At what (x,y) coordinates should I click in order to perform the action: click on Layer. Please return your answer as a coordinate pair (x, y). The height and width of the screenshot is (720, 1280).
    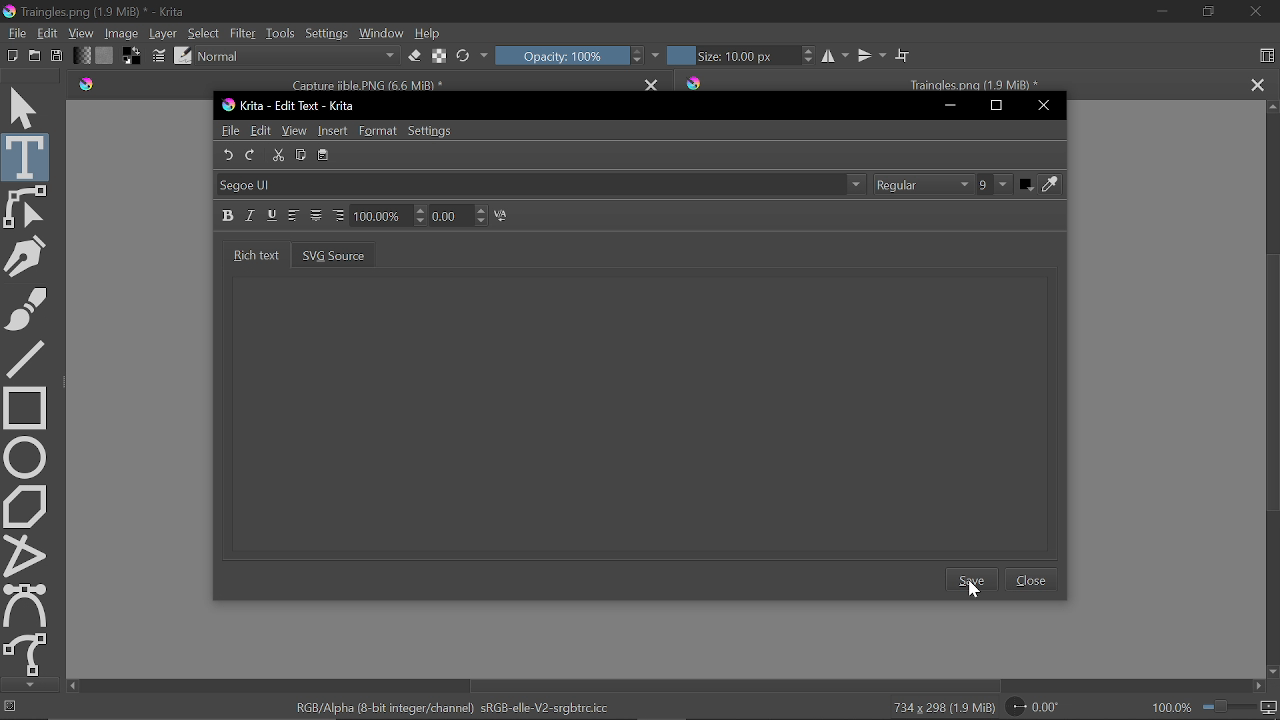
    Looking at the image, I should click on (164, 33).